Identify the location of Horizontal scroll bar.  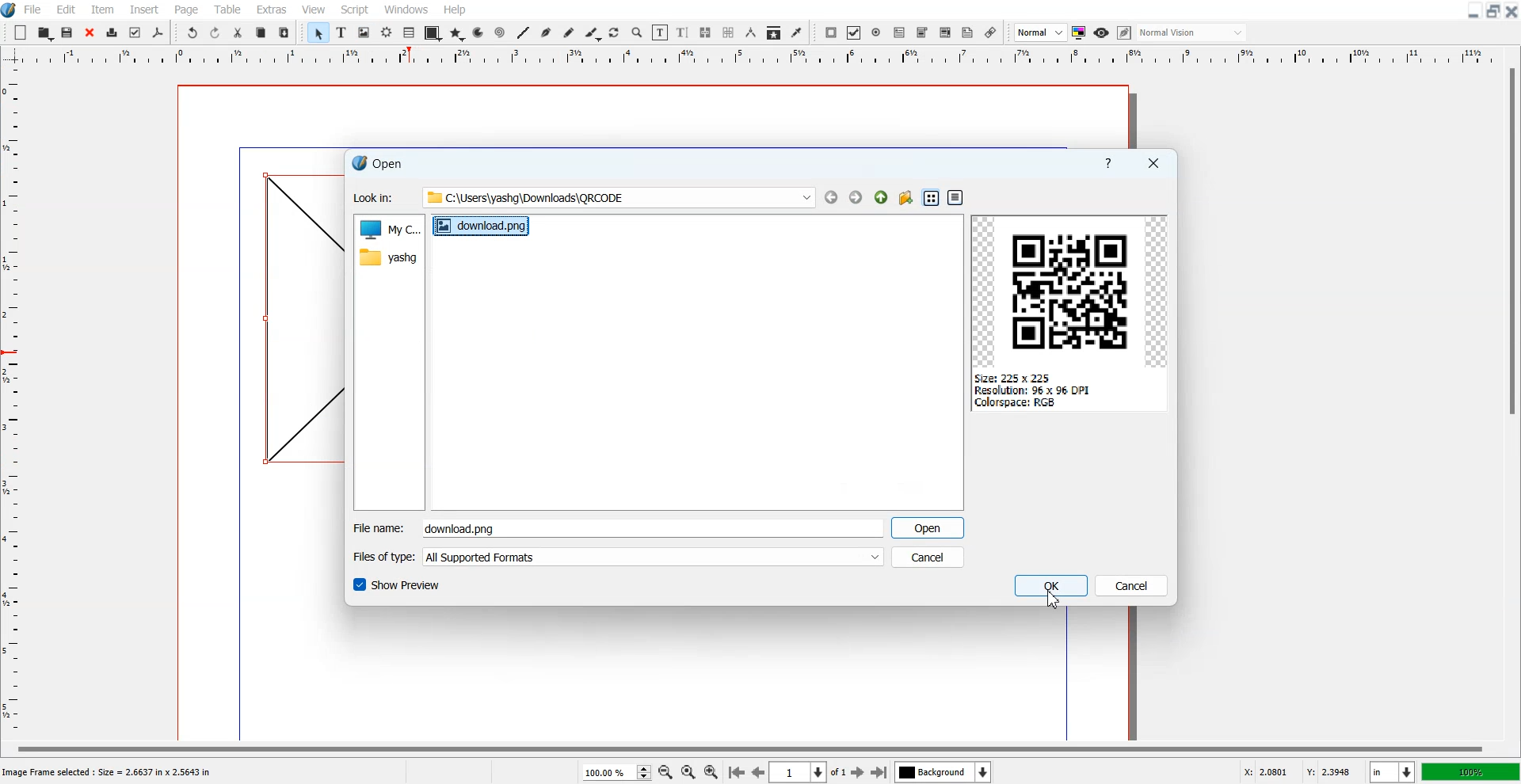
(746, 747).